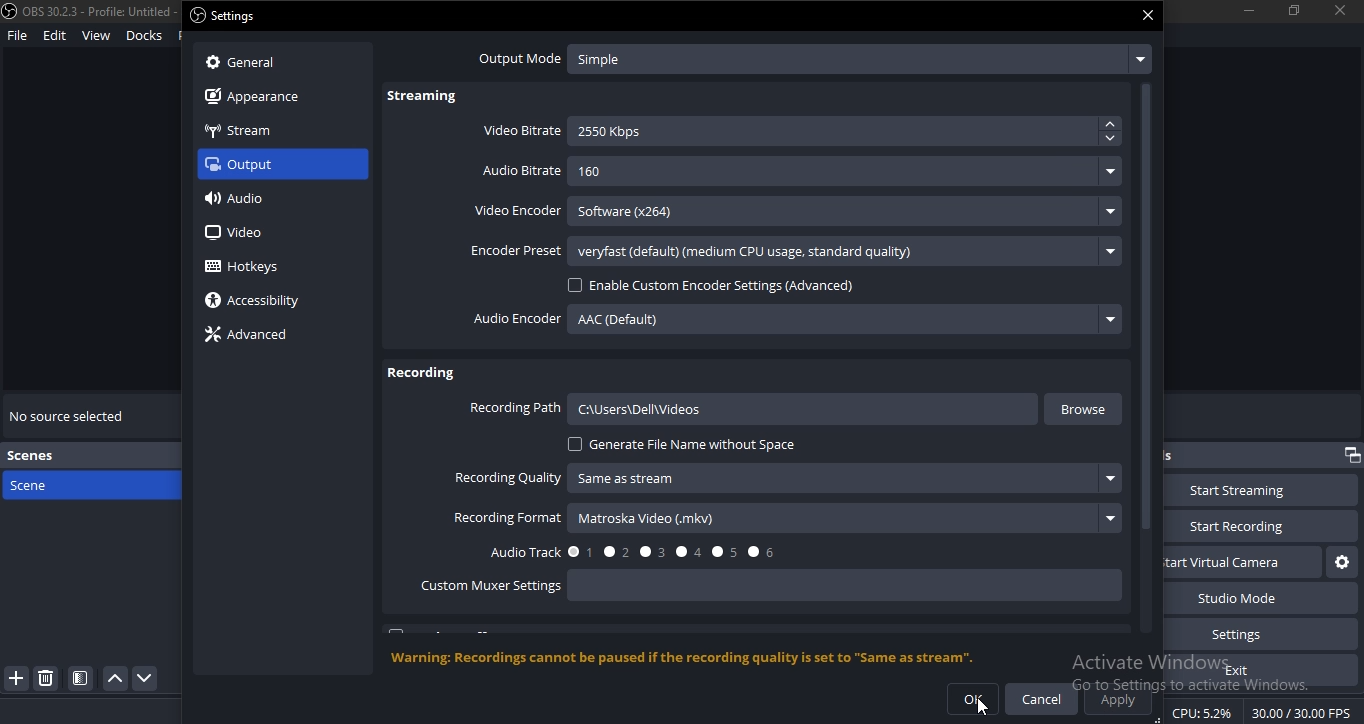 This screenshot has height=724, width=1364. Describe the element at coordinates (71, 413) in the screenshot. I see `no source selected` at that location.